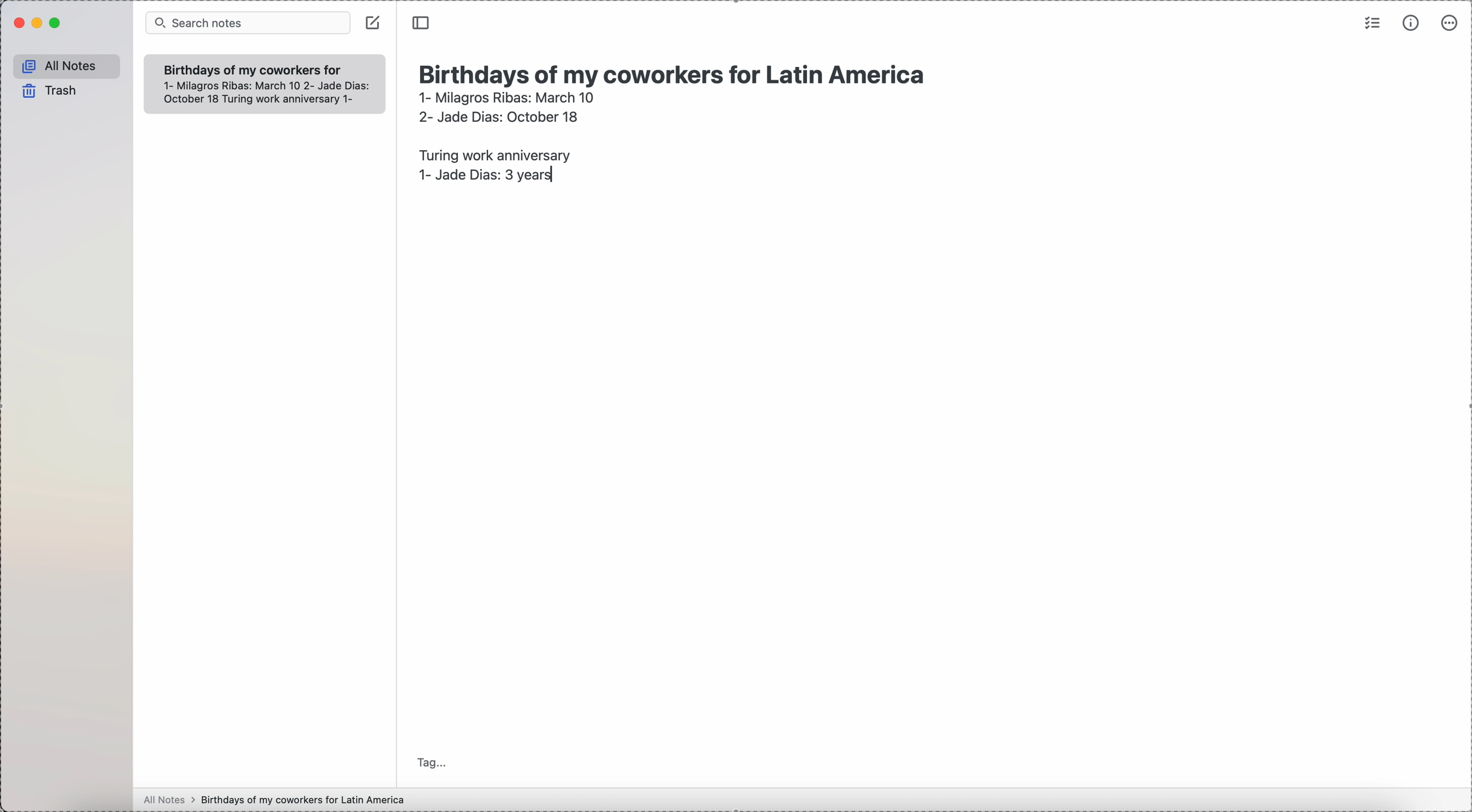  What do you see at coordinates (51, 91) in the screenshot?
I see `trash` at bounding box center [51, 91].